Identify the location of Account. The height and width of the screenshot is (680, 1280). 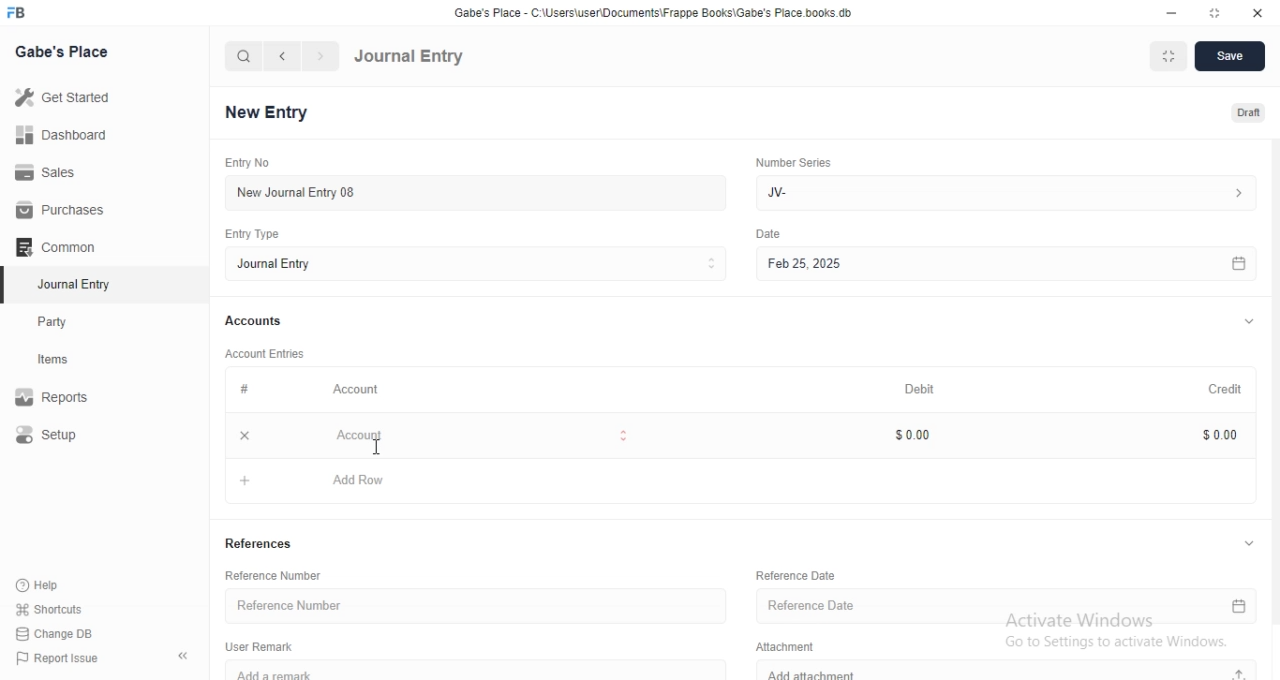
(473, 435).